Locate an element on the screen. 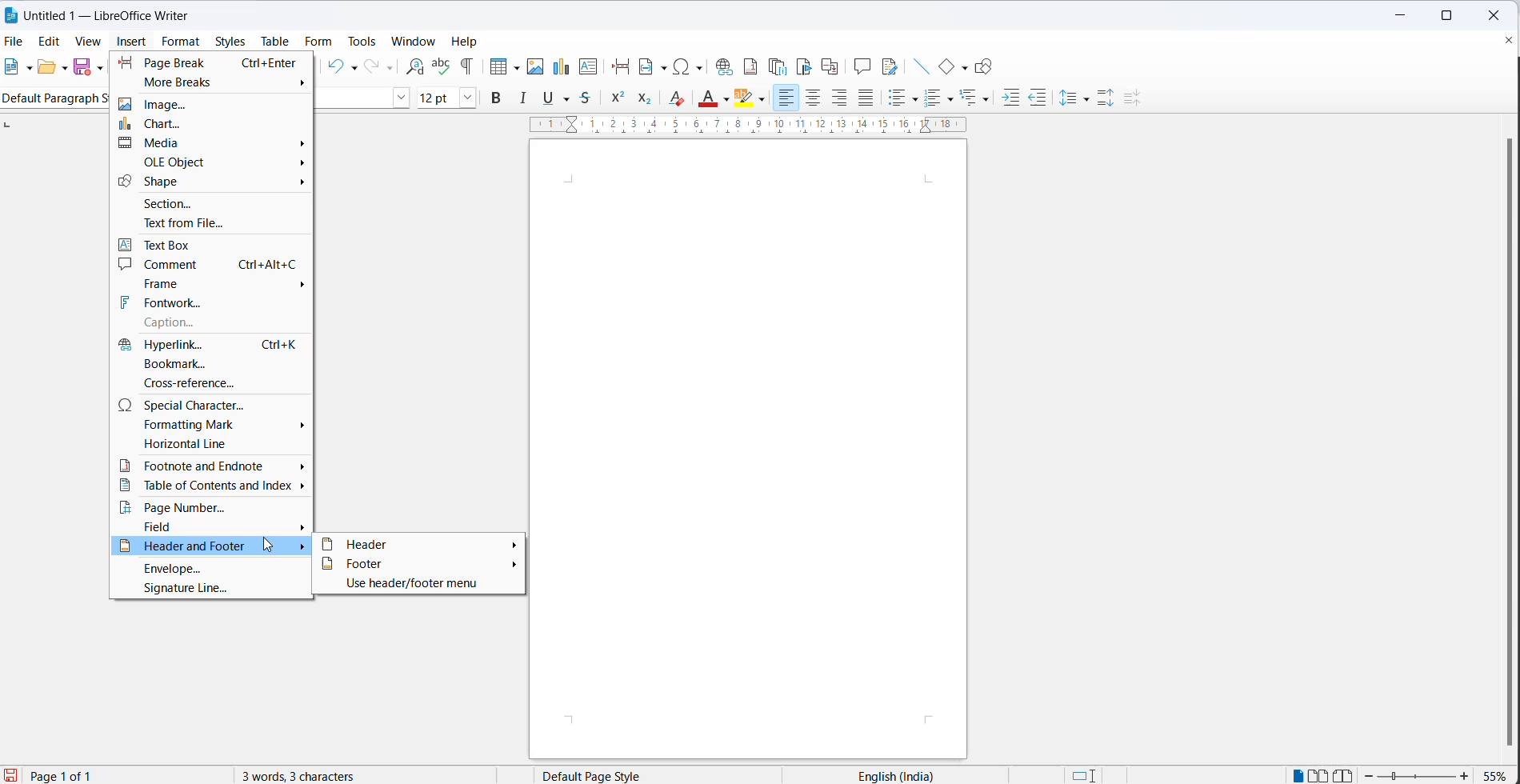  show draw functions is located at coordinates (990, 66).